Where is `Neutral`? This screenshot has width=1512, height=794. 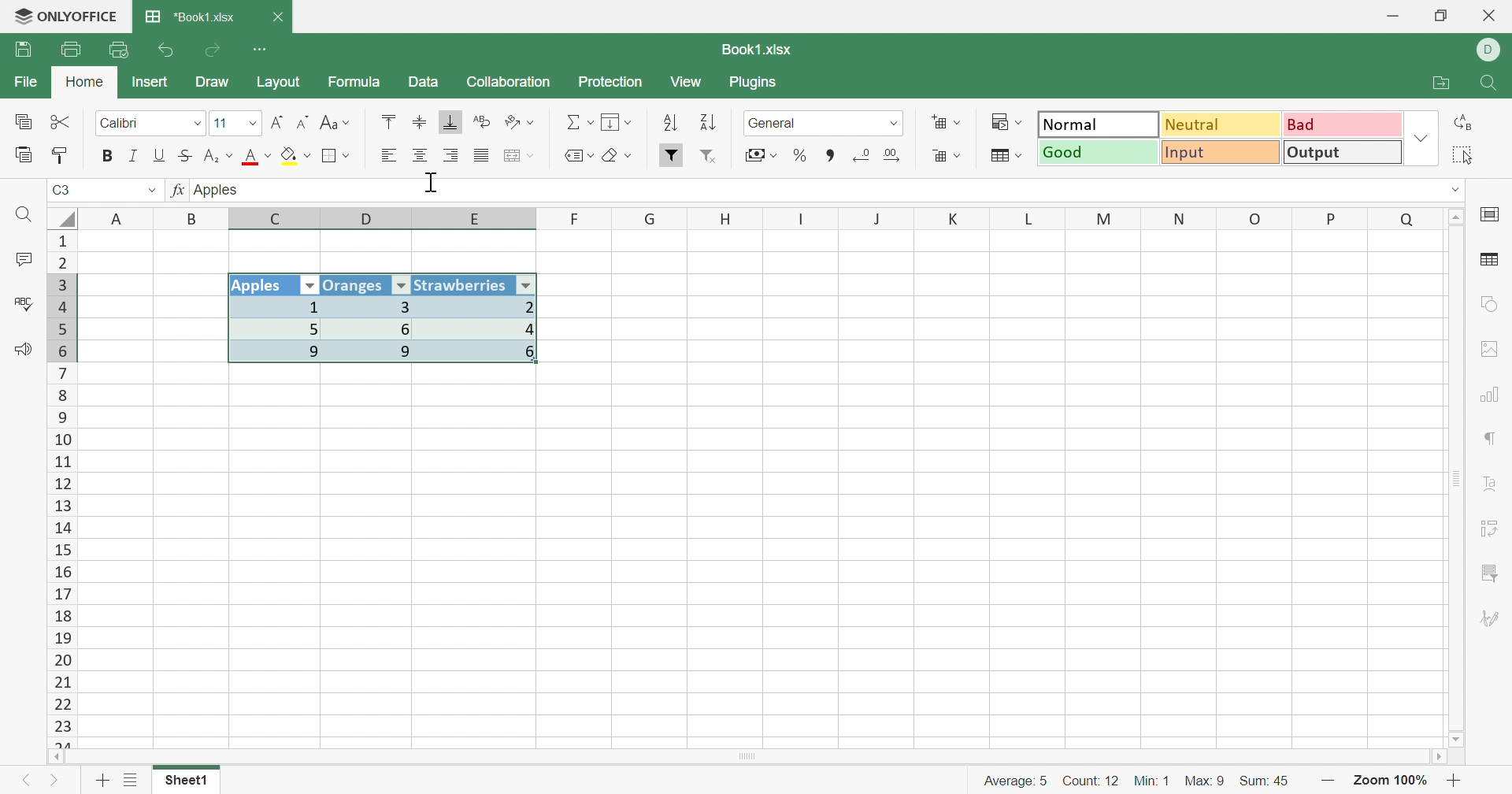 Neutral is located at coordinates (1222, 124).